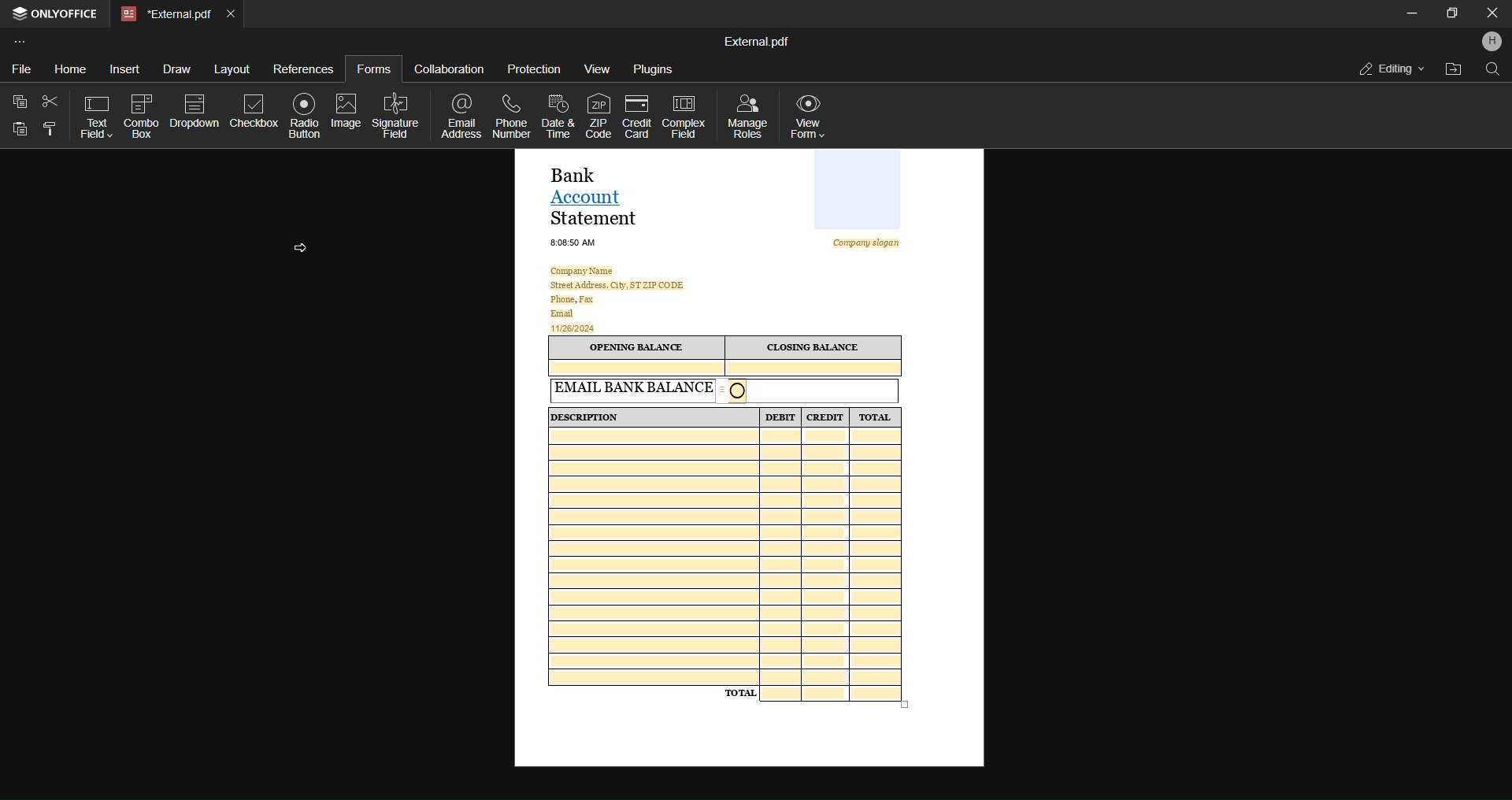 This screenshot has height=800, width=1512. I want to click on text field, so click(94, 113).